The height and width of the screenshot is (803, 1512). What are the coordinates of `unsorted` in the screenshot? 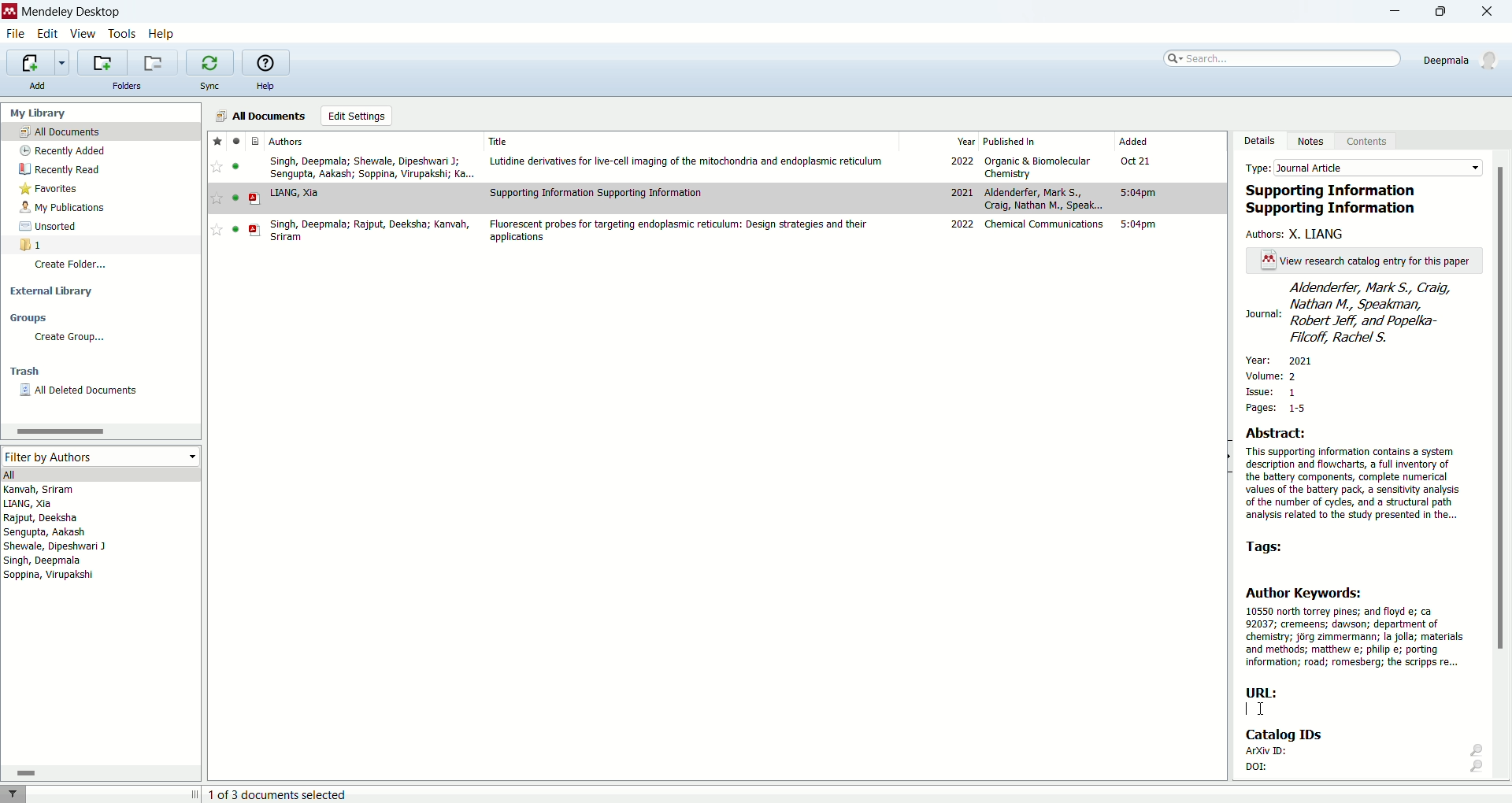 It's located at (52, 227).